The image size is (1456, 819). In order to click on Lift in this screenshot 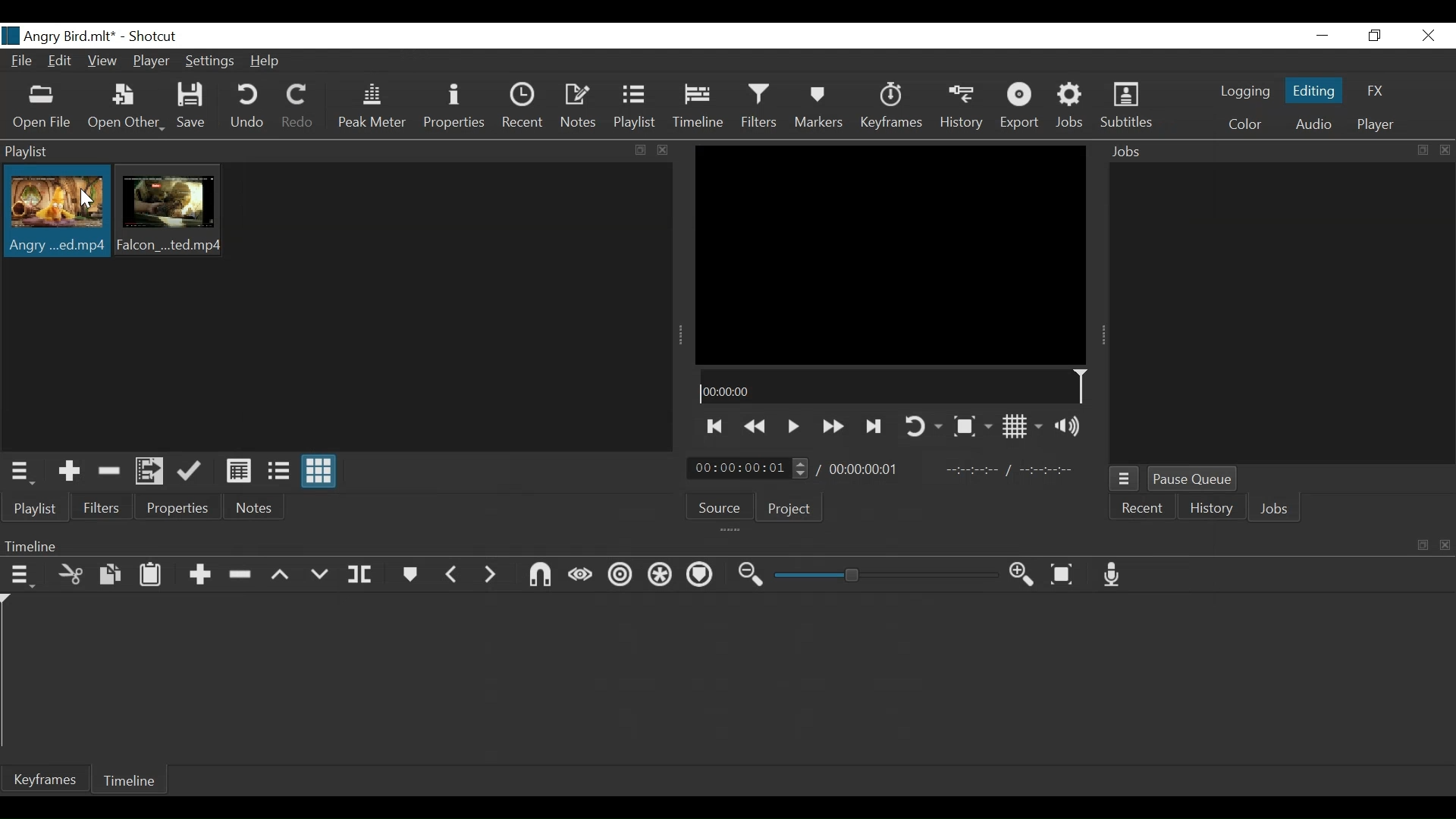, I will do `click(280, 575)`.